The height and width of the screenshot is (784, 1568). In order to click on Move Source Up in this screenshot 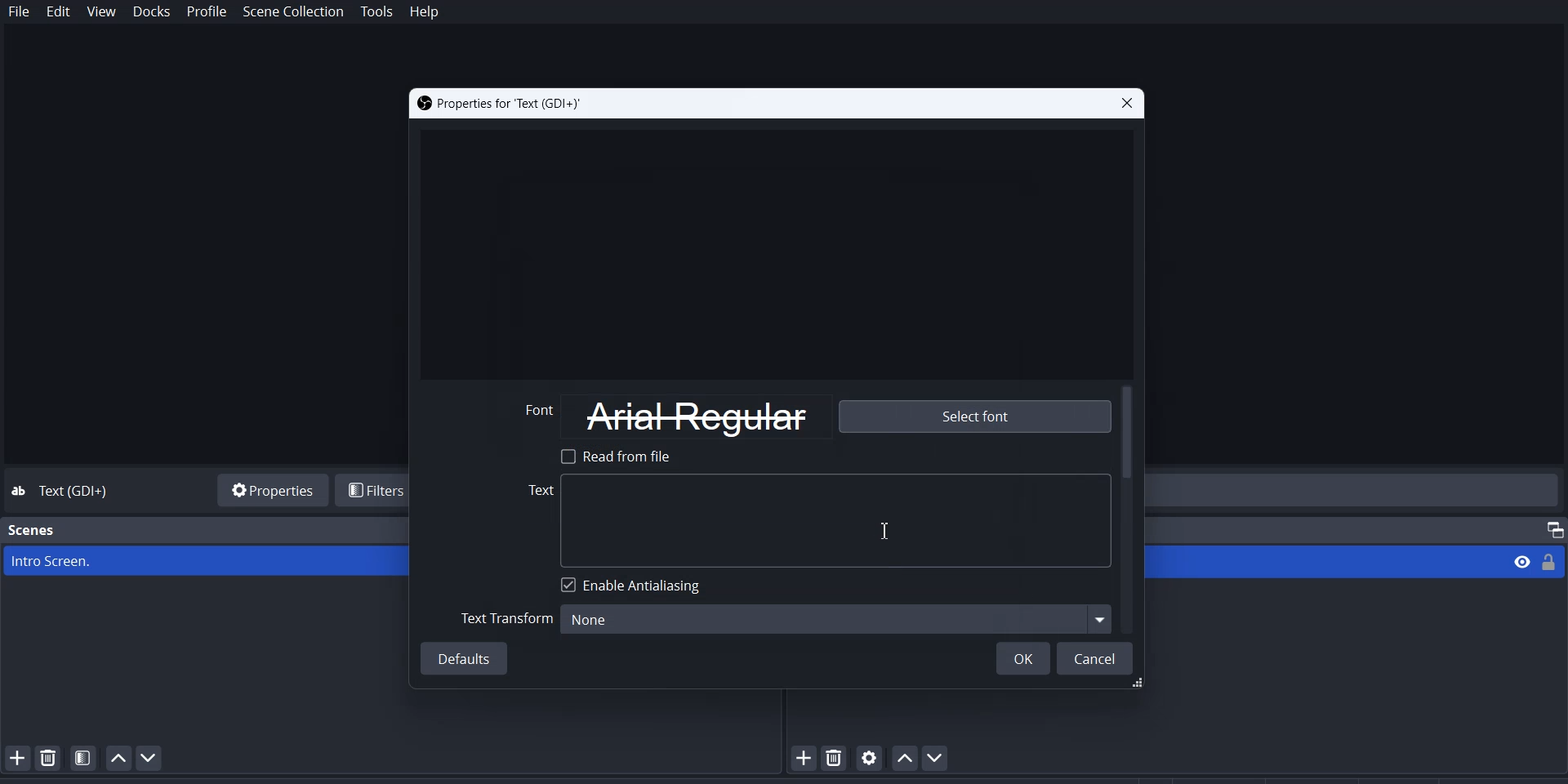, I will do `click(903, 757)`.